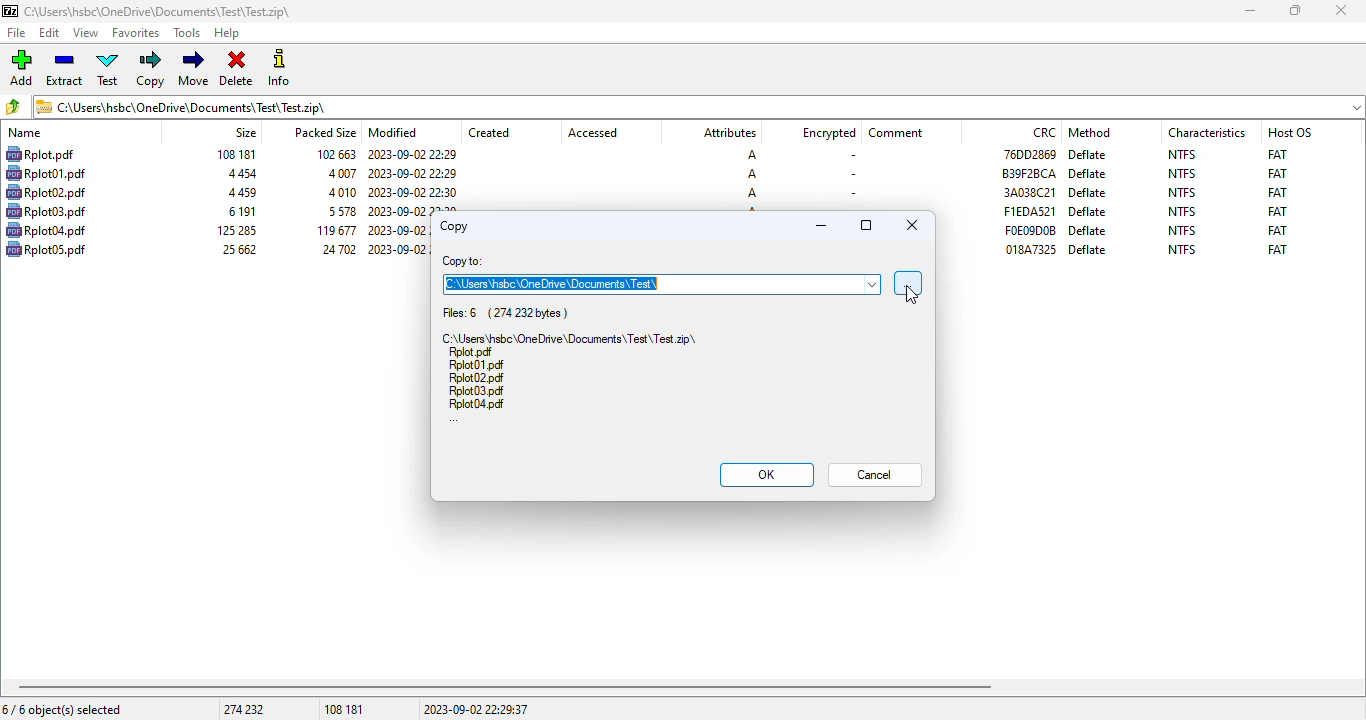 The image size is (1366, 720). Describe the element at coordinates (245, 132) in the screenshot. I see `size` at that location.